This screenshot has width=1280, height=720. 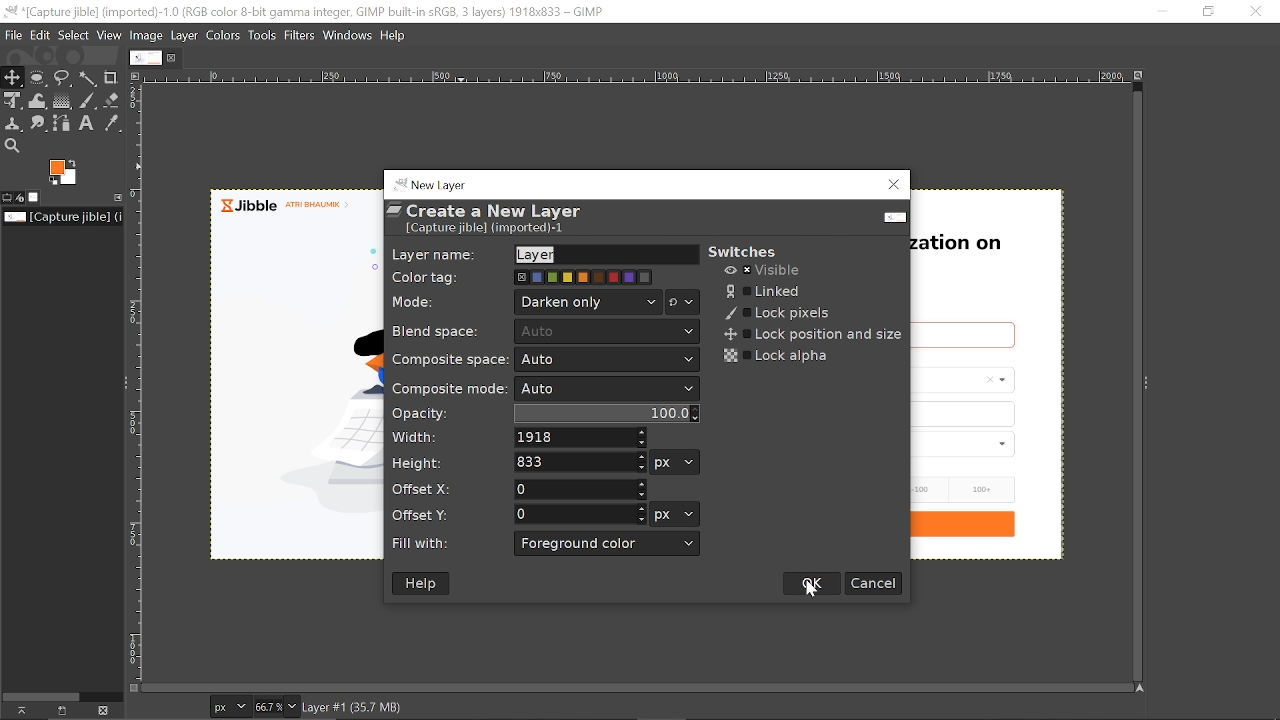 I want to click on Wrap text tool, so click(x=39, y=101).